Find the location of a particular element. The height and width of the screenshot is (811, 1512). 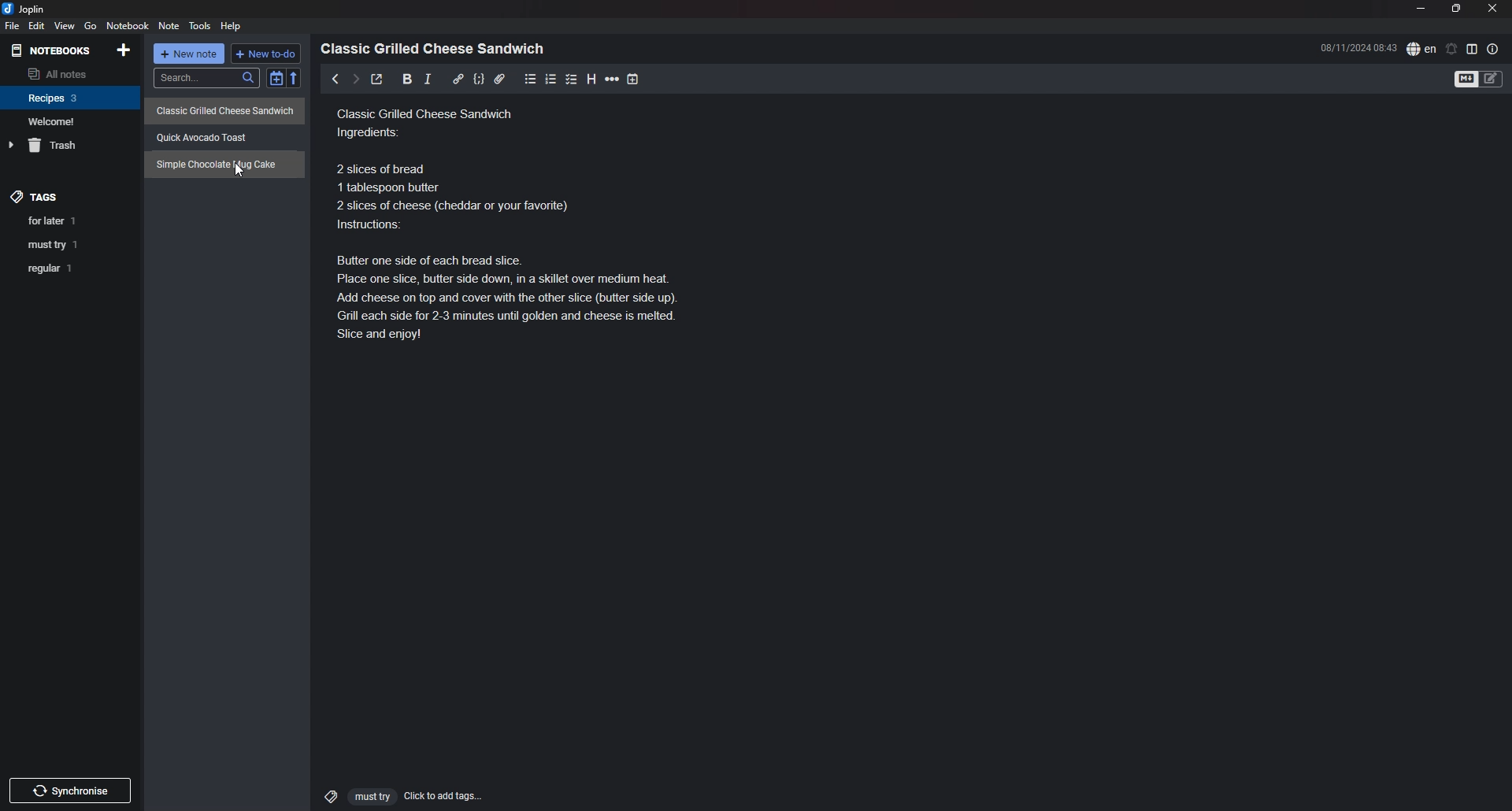

time is located at coordinates (1358, 47).